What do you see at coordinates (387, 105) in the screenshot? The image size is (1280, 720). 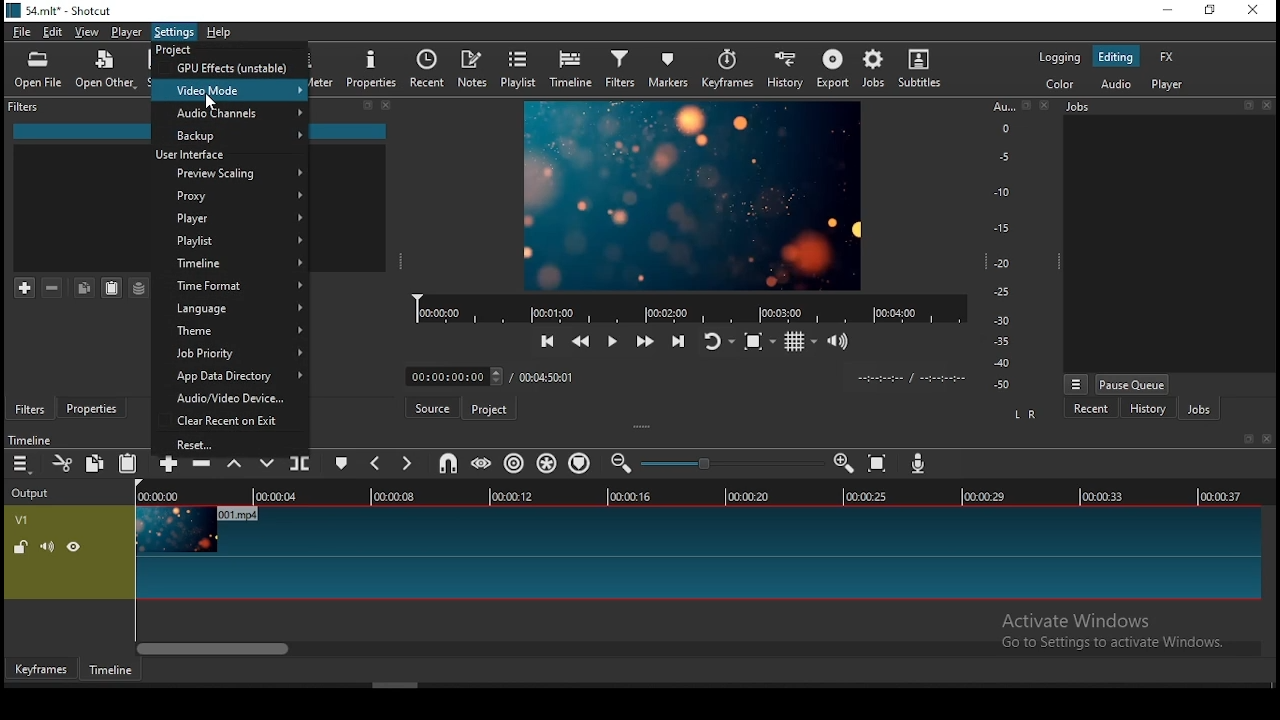 I see `close` at bounding box center [387, 105].